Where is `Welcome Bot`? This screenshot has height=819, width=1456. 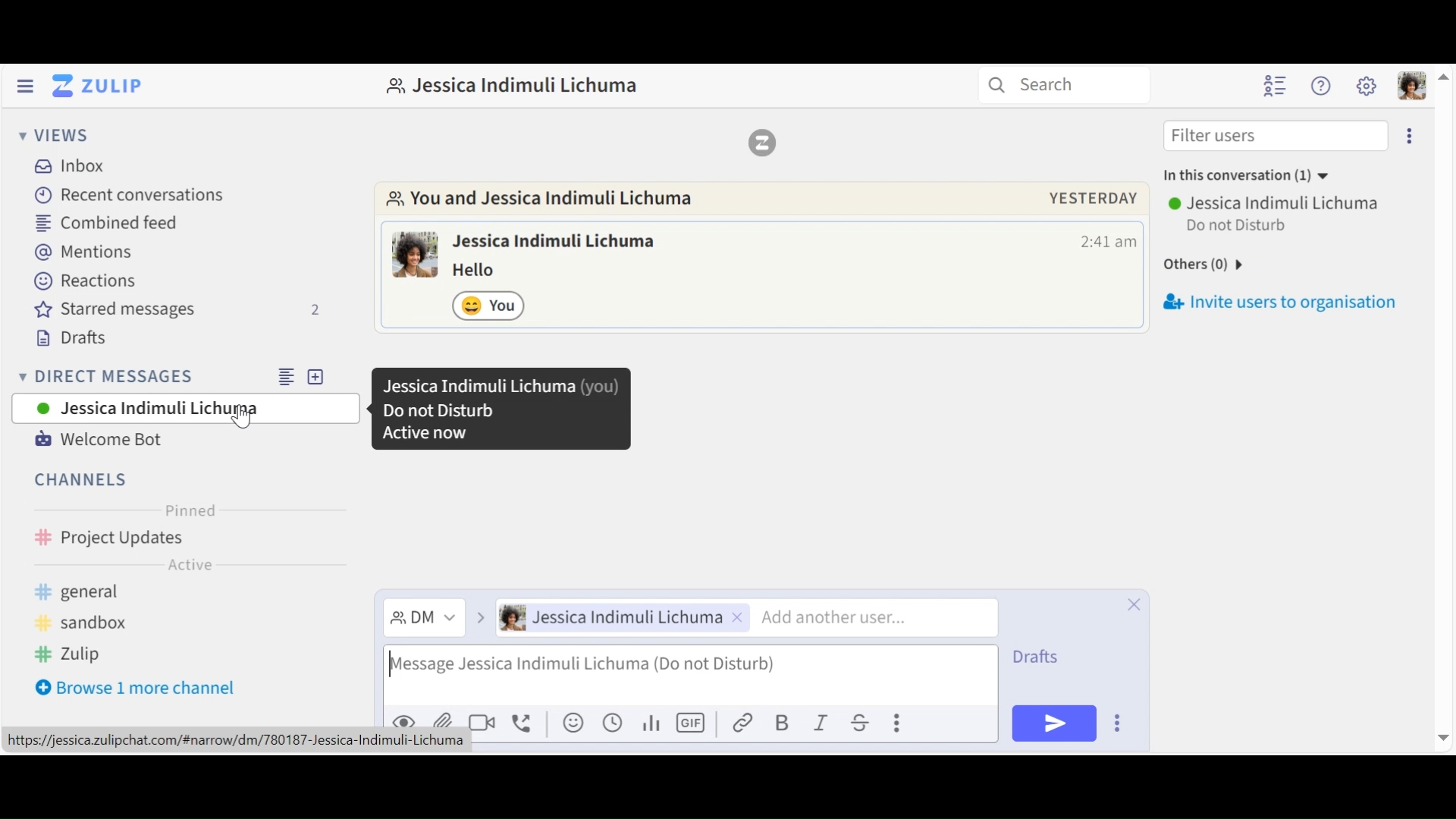
Welcome Bot is located at coordinates (98, 440).